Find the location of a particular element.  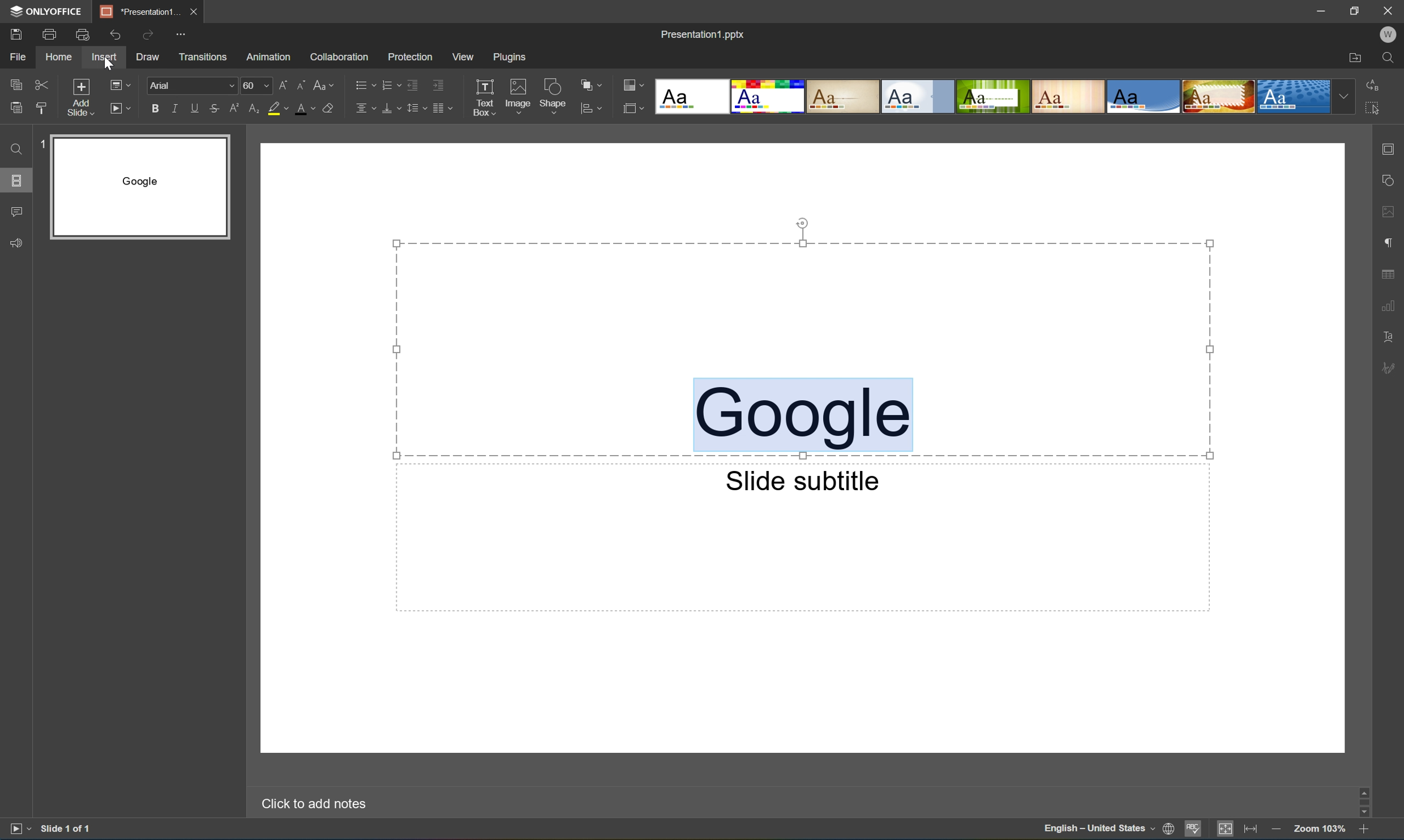

File is located at coordinates (22, 55).